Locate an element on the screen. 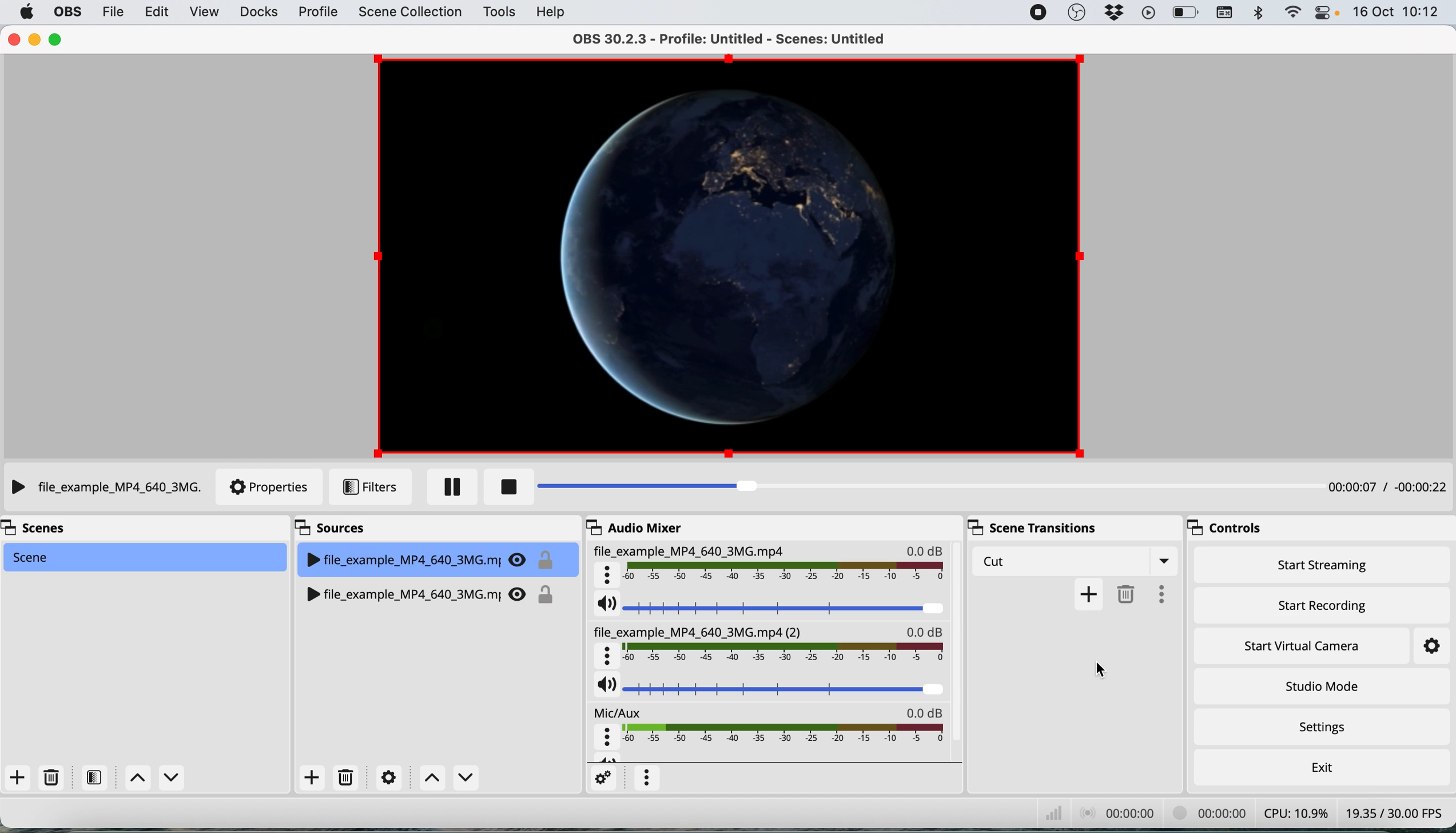 The height and width of the screenshot is (833, 1456). pause is located at coordinates (451, 486).